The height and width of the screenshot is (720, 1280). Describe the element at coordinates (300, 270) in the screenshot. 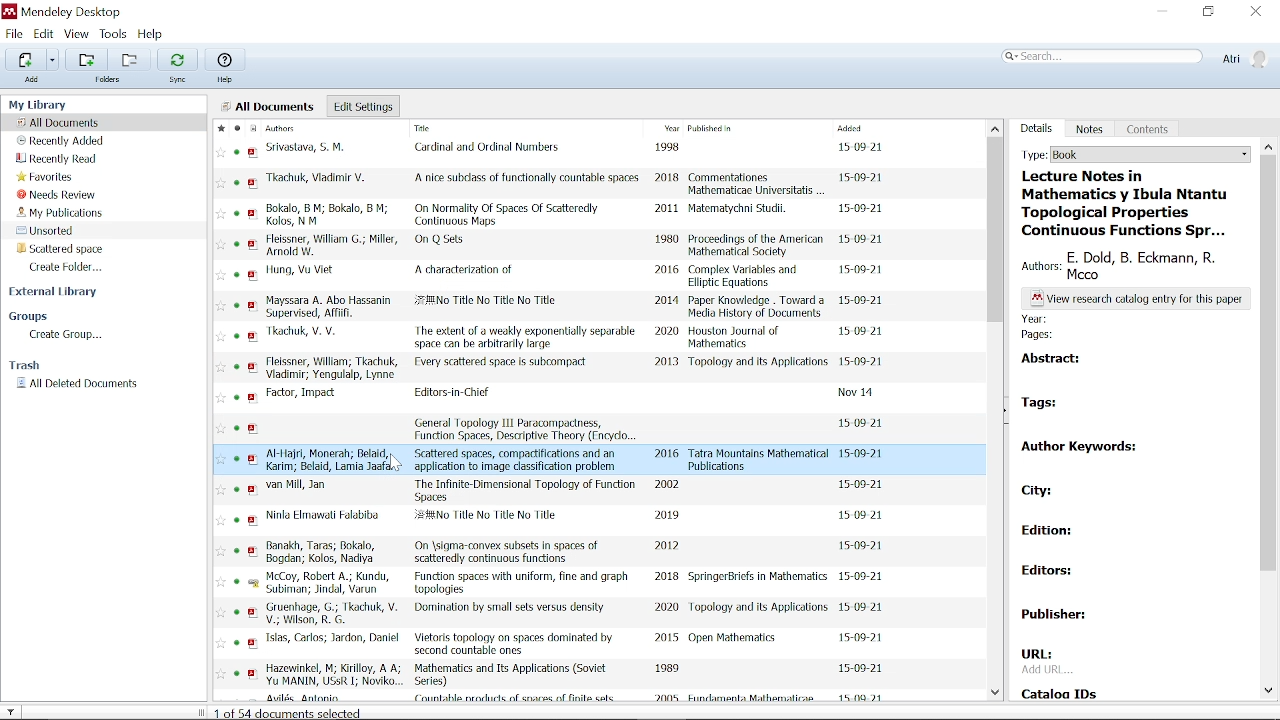

I see `authors` at that location.